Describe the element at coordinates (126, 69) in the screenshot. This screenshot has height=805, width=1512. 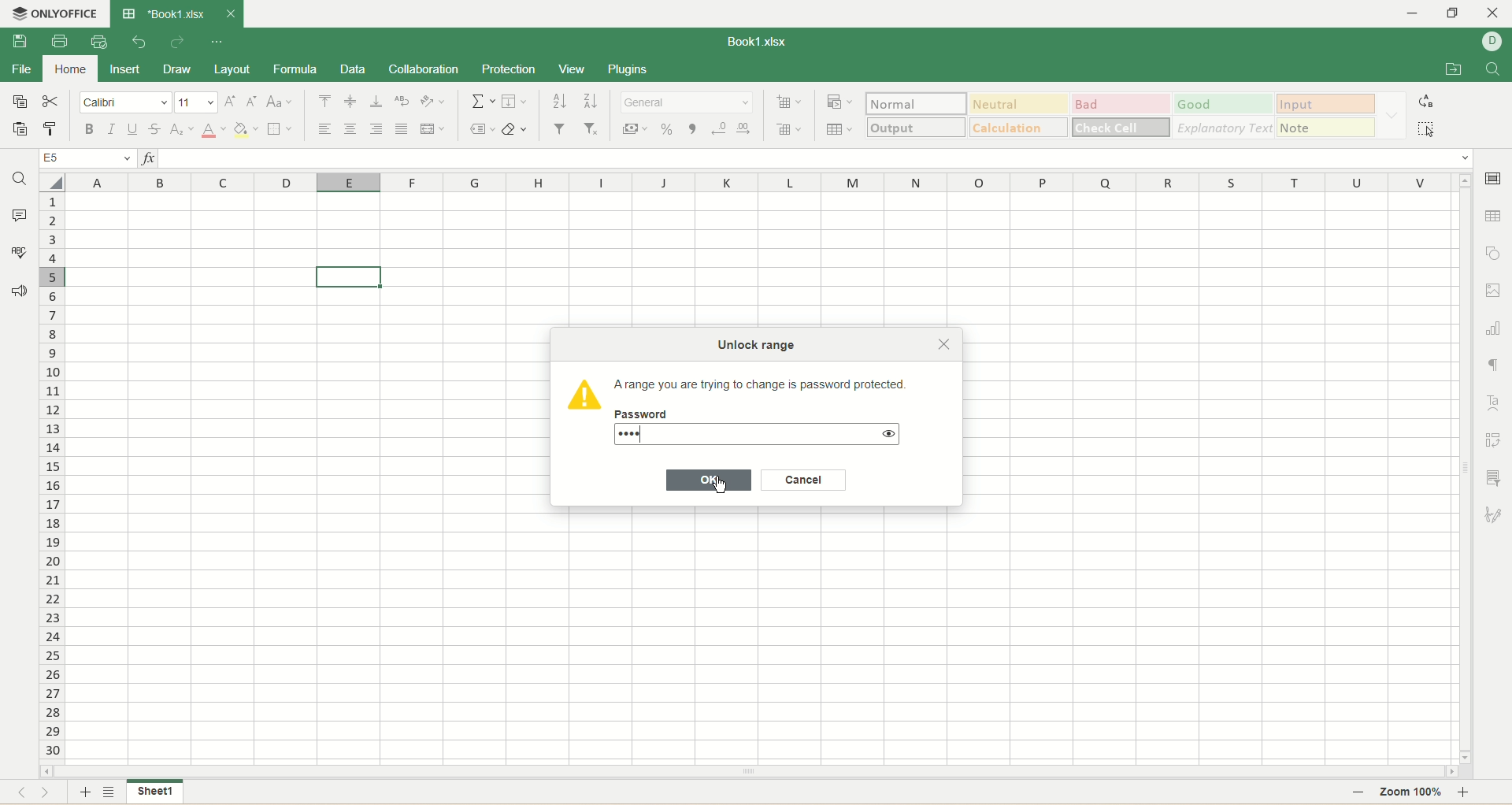
I see `insert` at that location.